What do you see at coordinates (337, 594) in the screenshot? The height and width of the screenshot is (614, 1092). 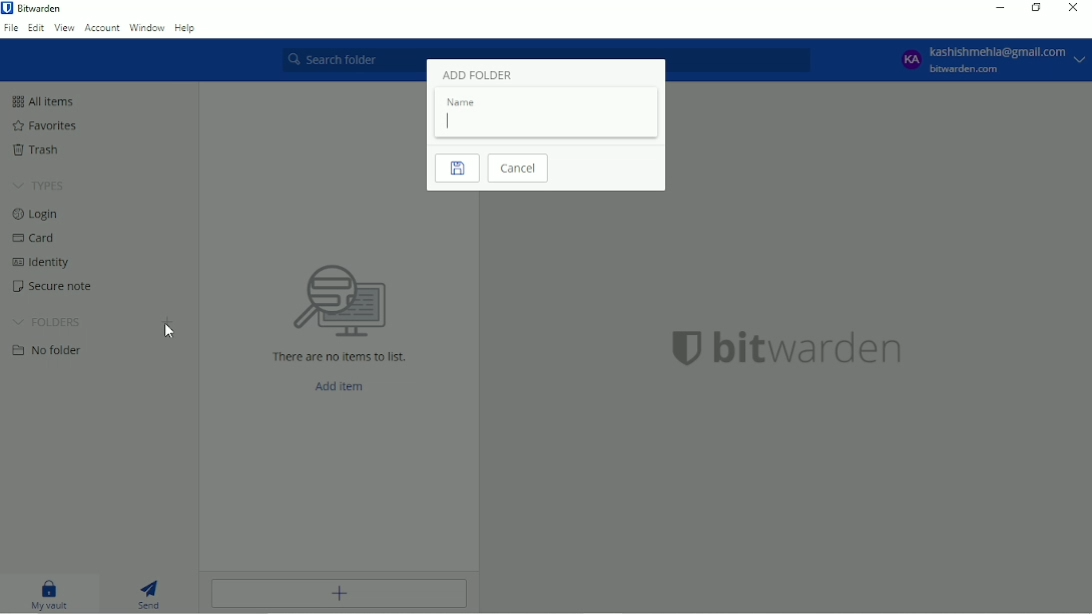 I see `Add item` at bounding box center [337, 594].